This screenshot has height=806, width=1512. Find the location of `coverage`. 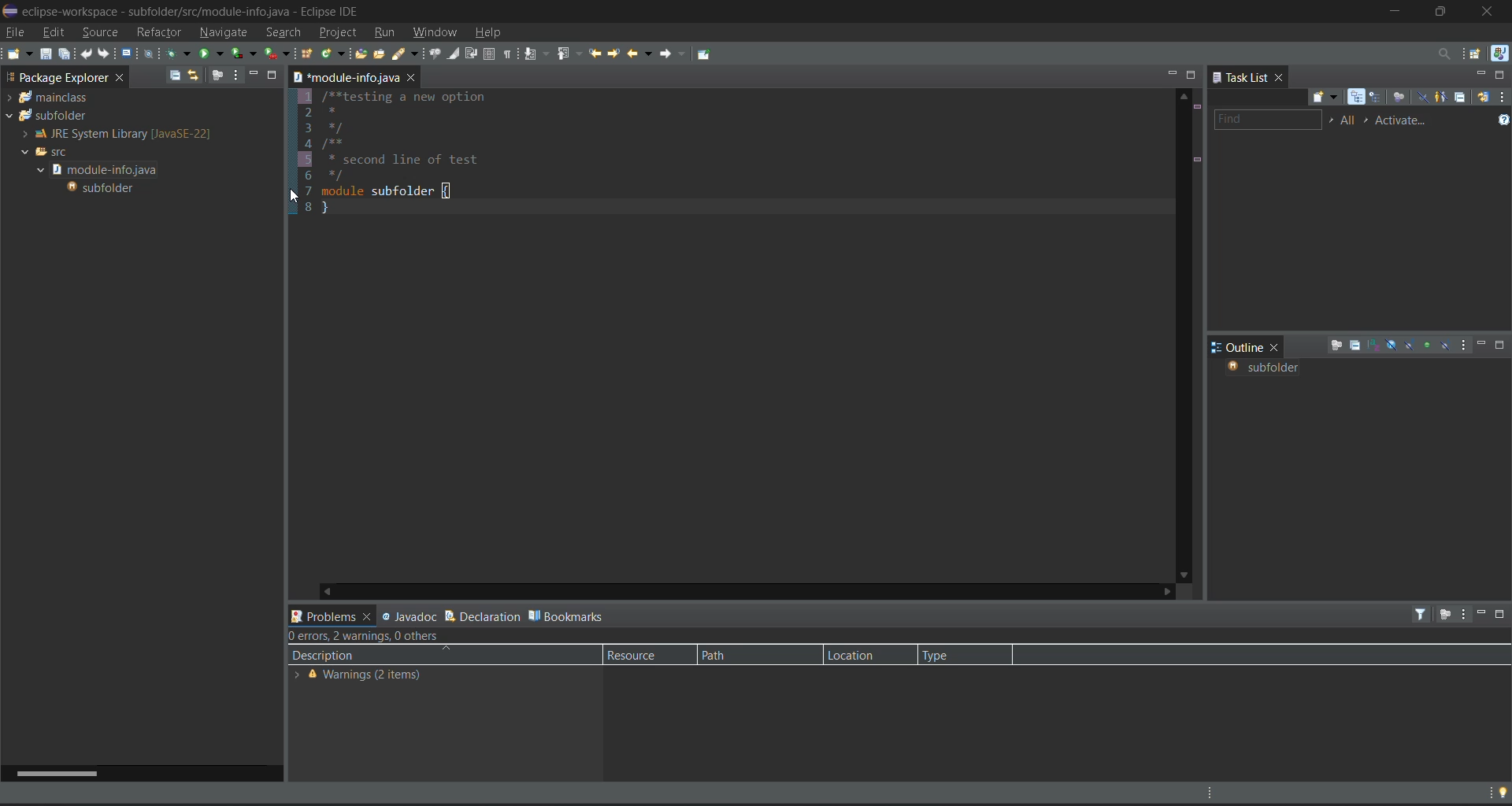

coverage is located at coordinates (246, 53).